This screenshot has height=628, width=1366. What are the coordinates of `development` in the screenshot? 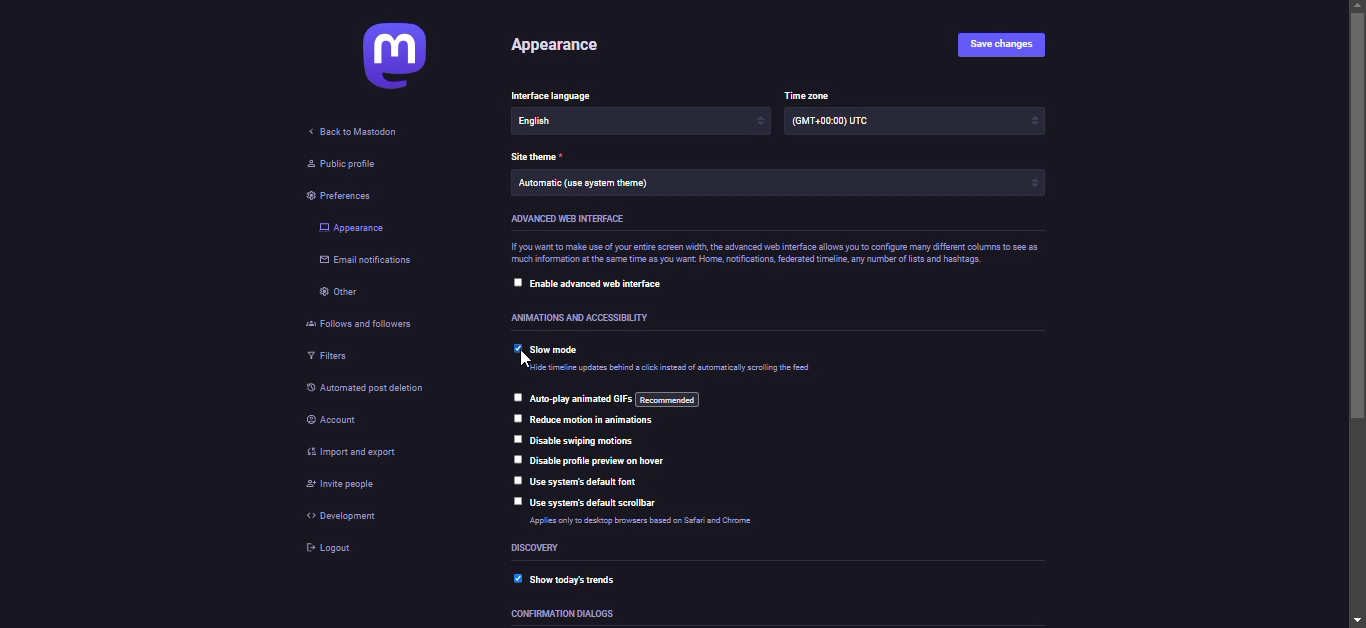 It's located at (345, 517).